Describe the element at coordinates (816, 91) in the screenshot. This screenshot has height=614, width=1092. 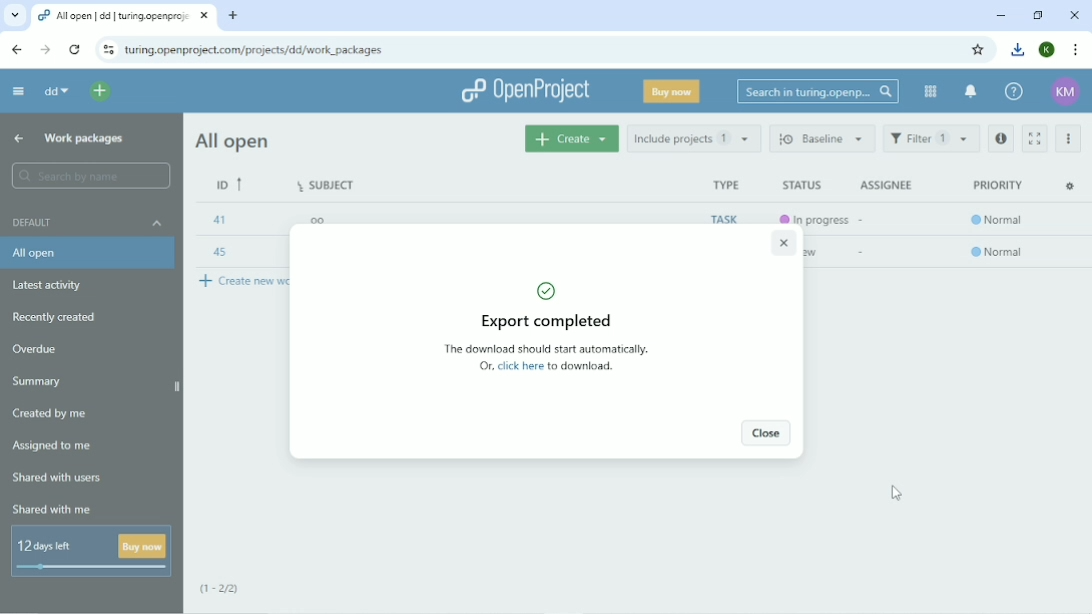
I see `Search` at that location.